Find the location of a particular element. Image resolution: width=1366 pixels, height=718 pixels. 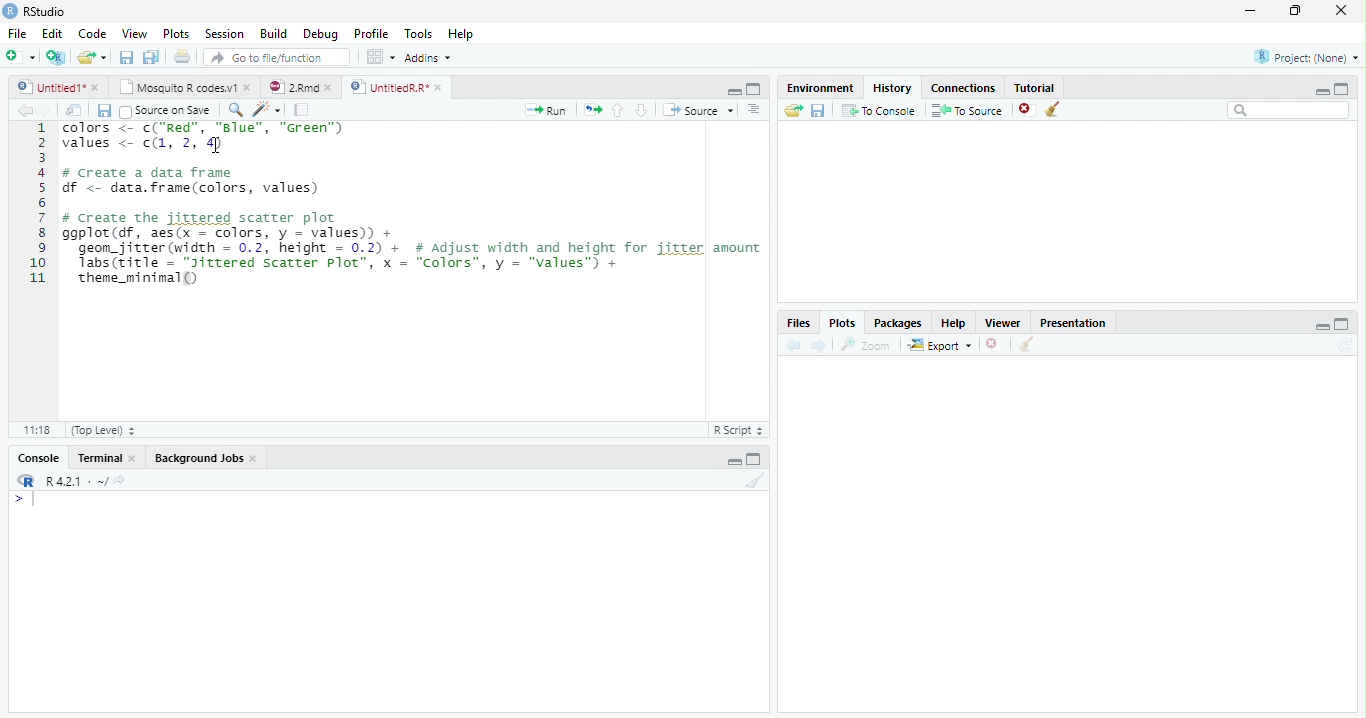

Packages is located at coordinates (896, 322).